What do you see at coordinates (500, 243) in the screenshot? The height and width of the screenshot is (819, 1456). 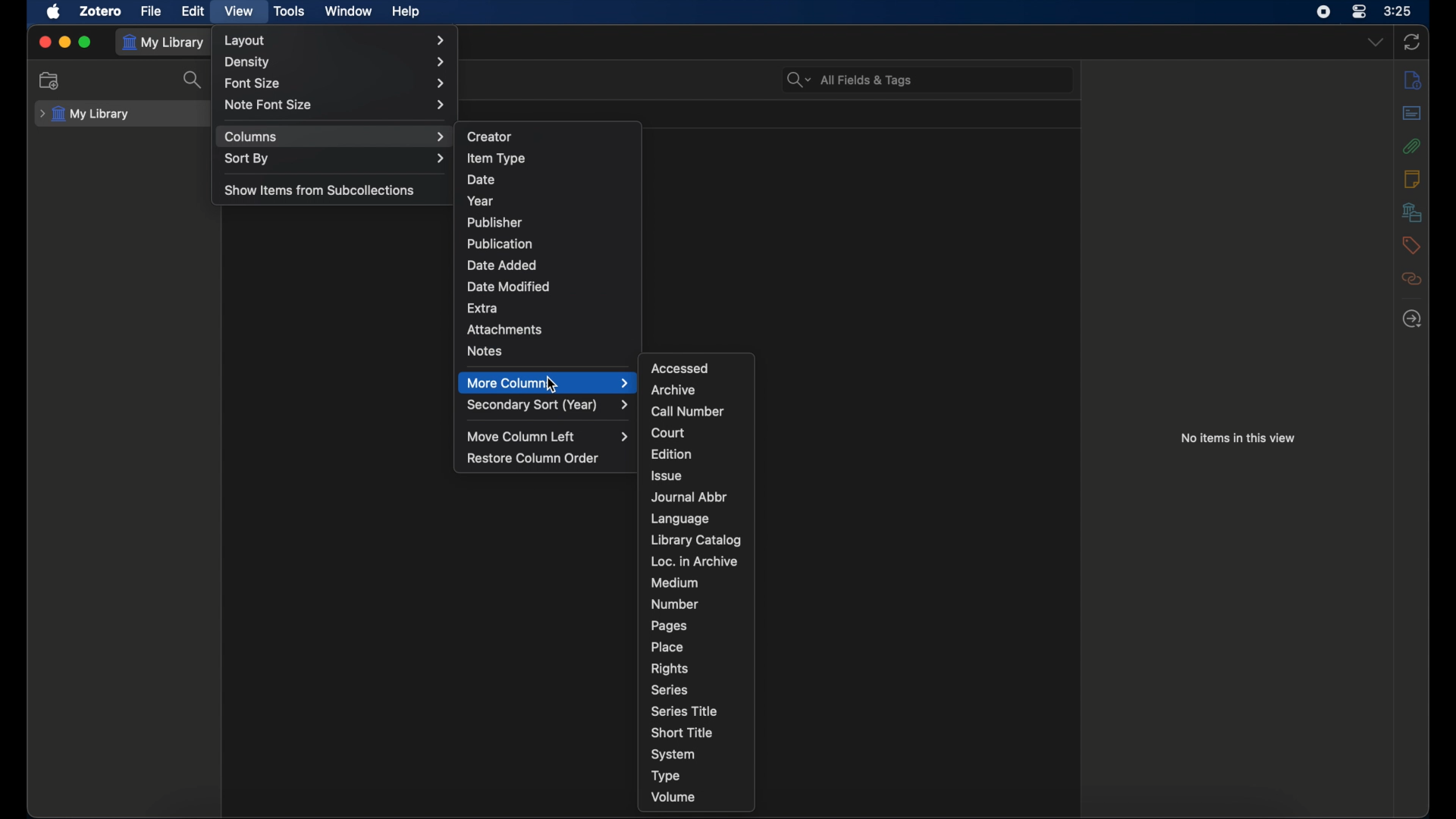 I see `publication` at bounding box center [500, 243].